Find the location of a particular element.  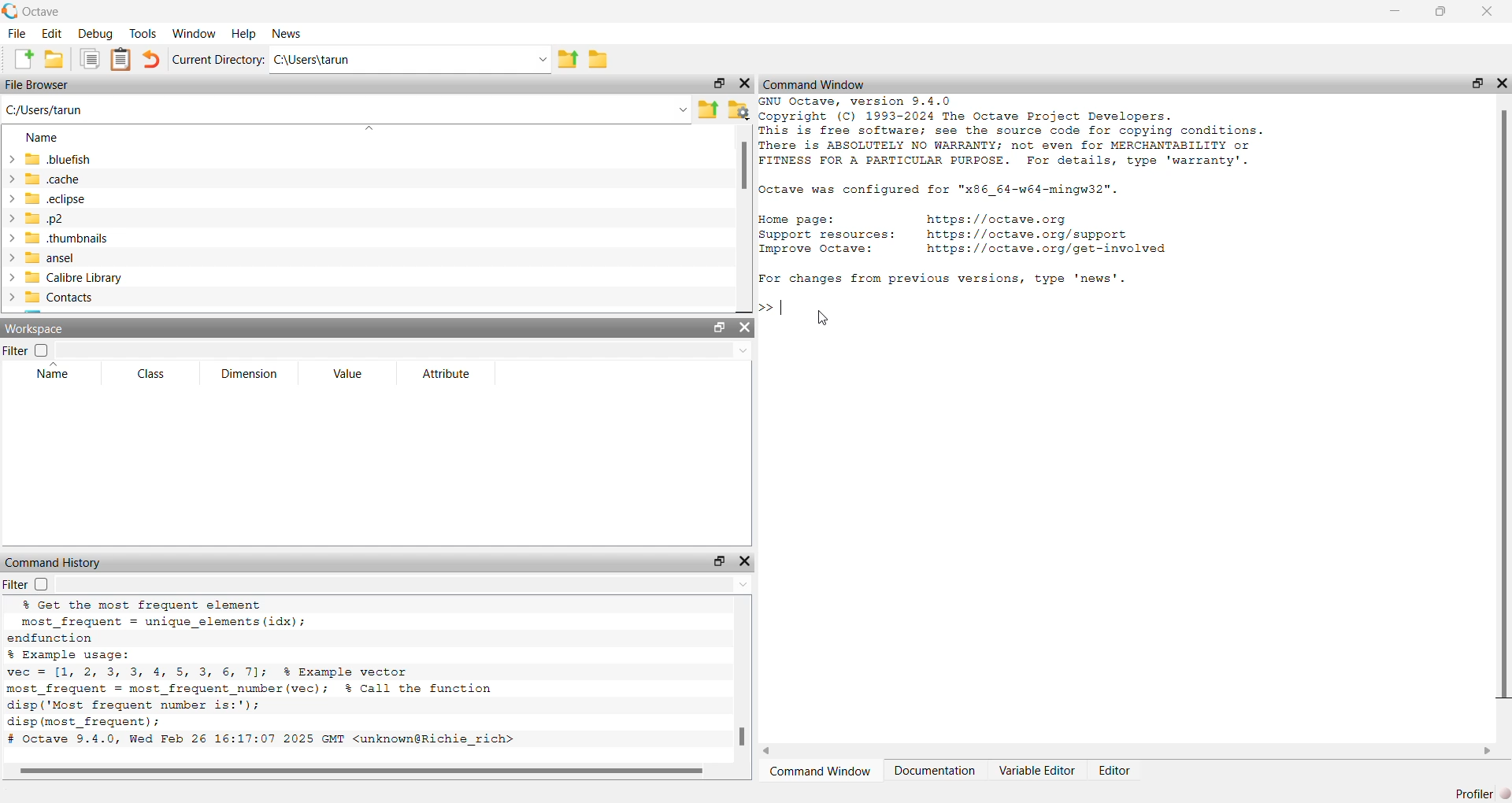

Documentation is located at coordinates (935, 771).